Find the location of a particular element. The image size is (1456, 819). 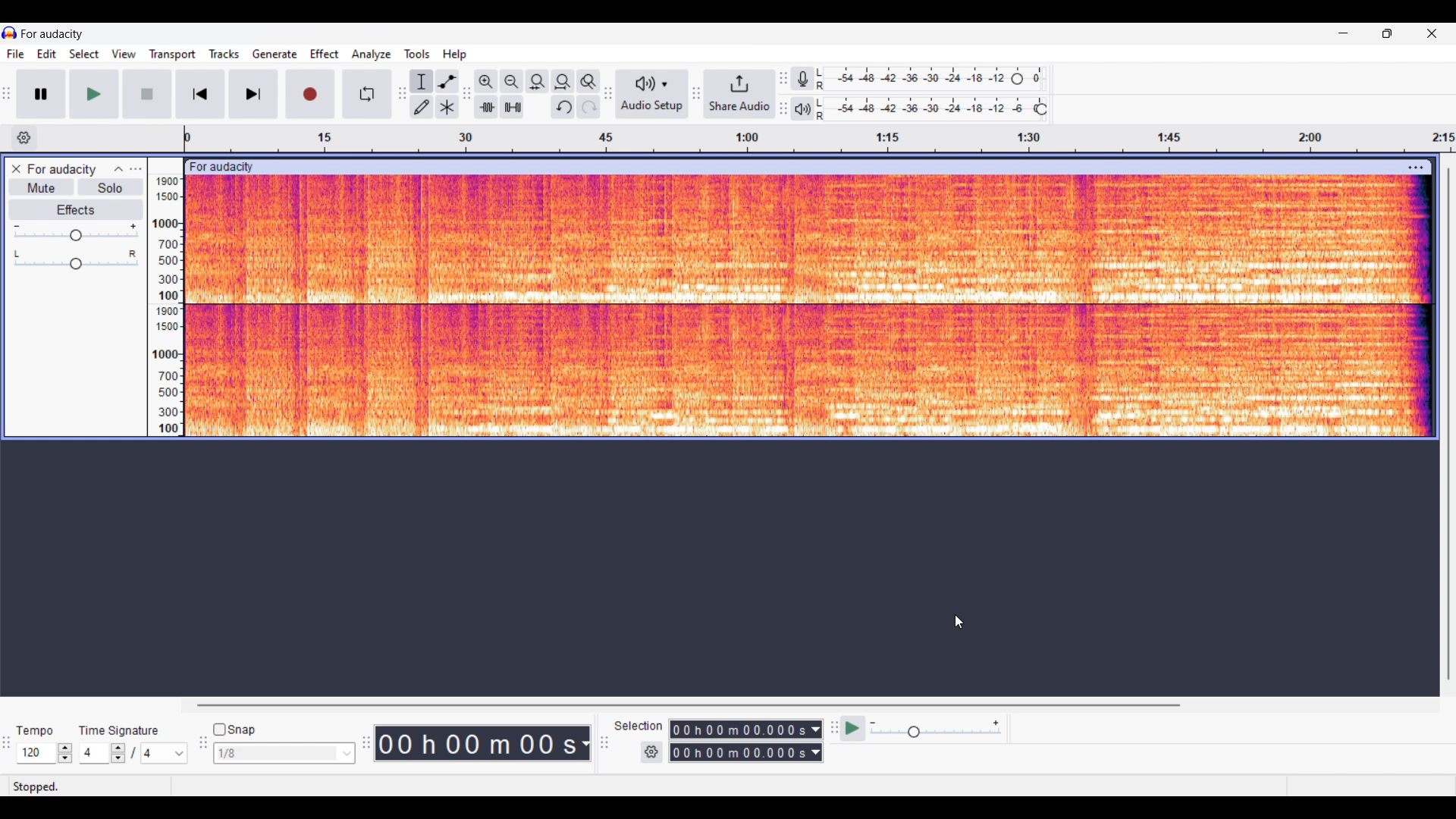

Select menu is located at coordinates (84, 54).